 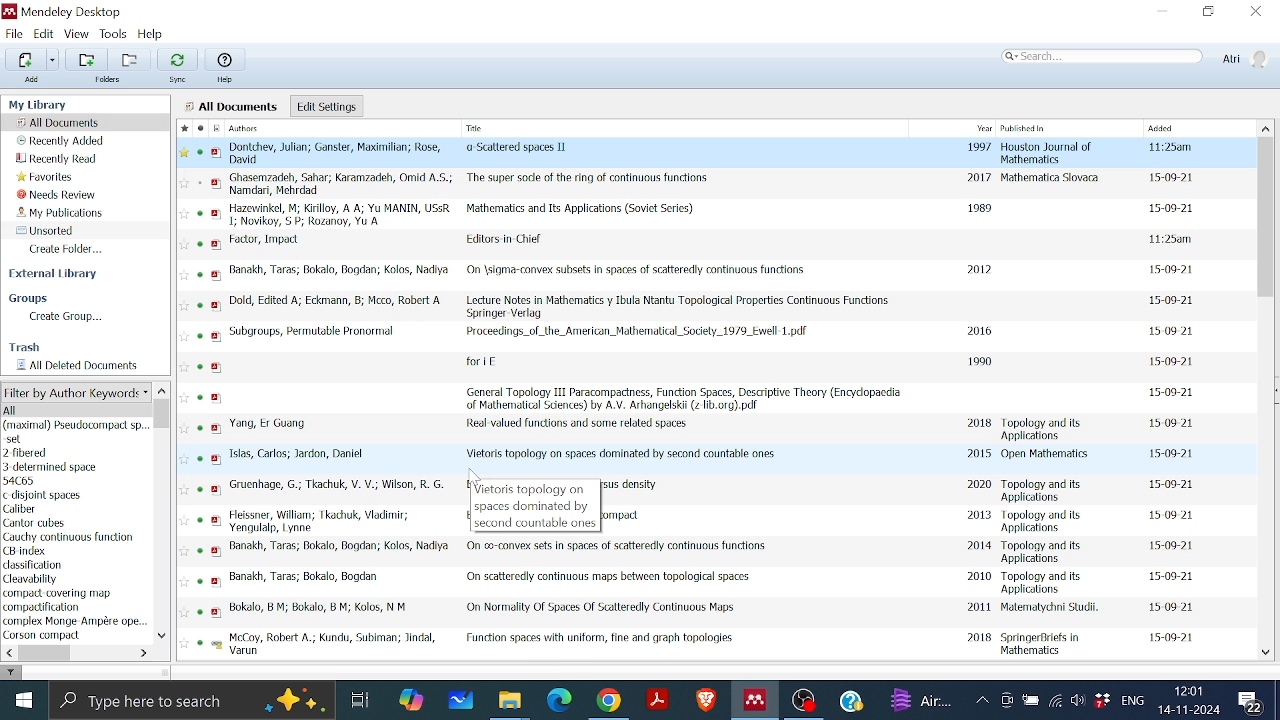 What do you see at coordinates (107, 81) in the screenshot?
I see `Folders` at bounding box center [107, 81].